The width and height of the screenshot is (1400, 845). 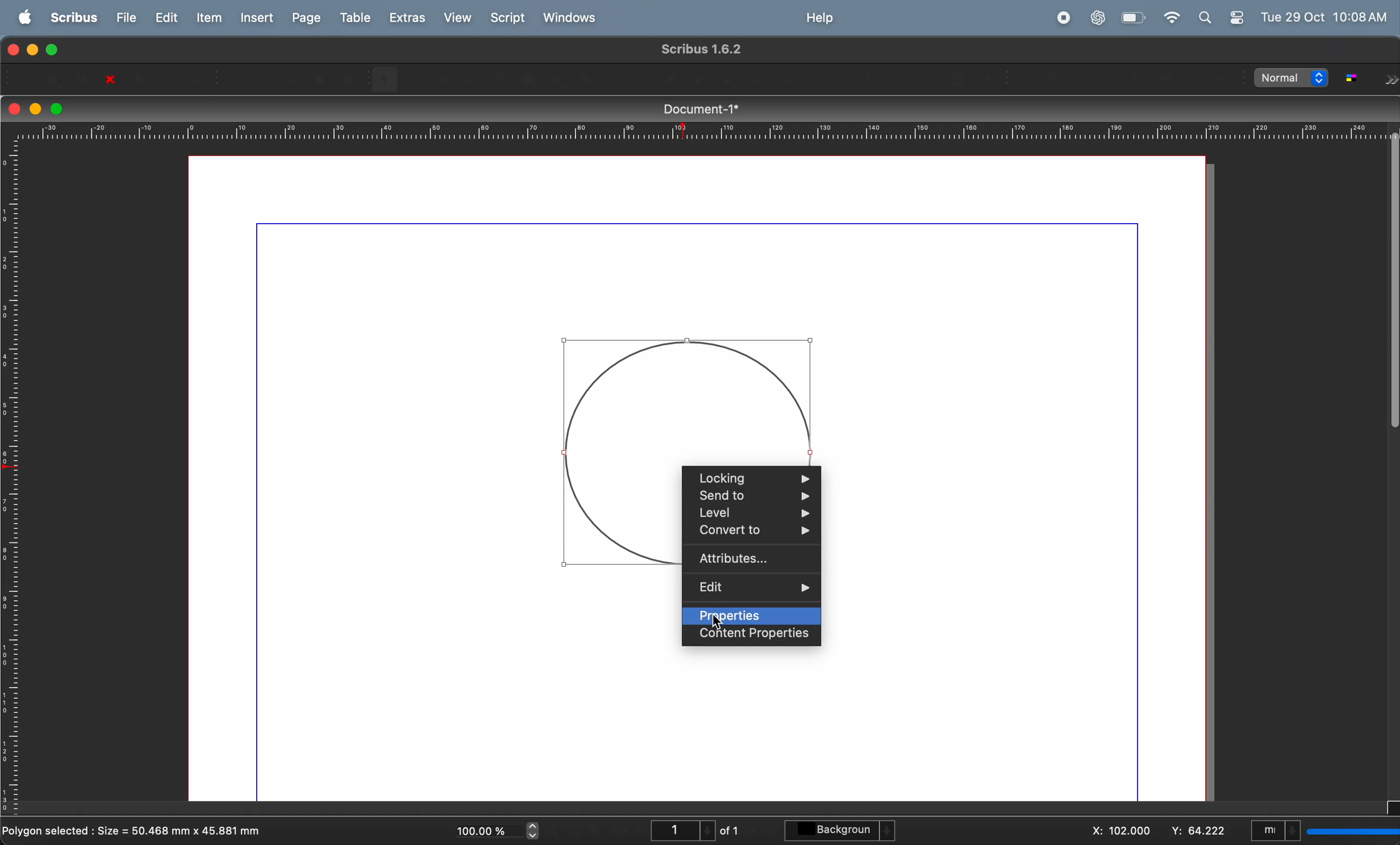 What do you see at coordinates (753, 477) in the screenshot?
I see `locking` at bounding box center [753, 477].